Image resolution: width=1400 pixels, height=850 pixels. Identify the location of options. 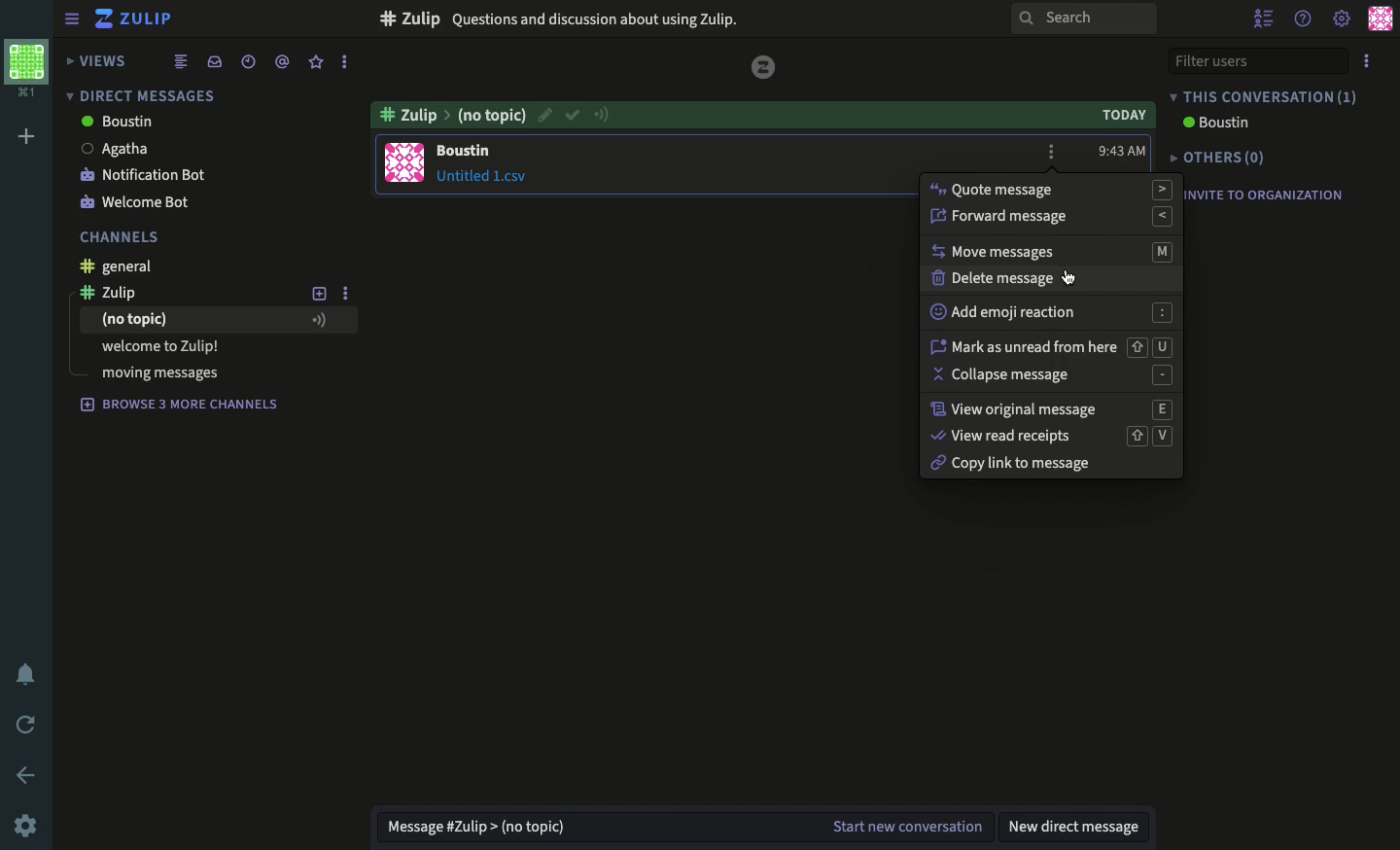
(345, 61).